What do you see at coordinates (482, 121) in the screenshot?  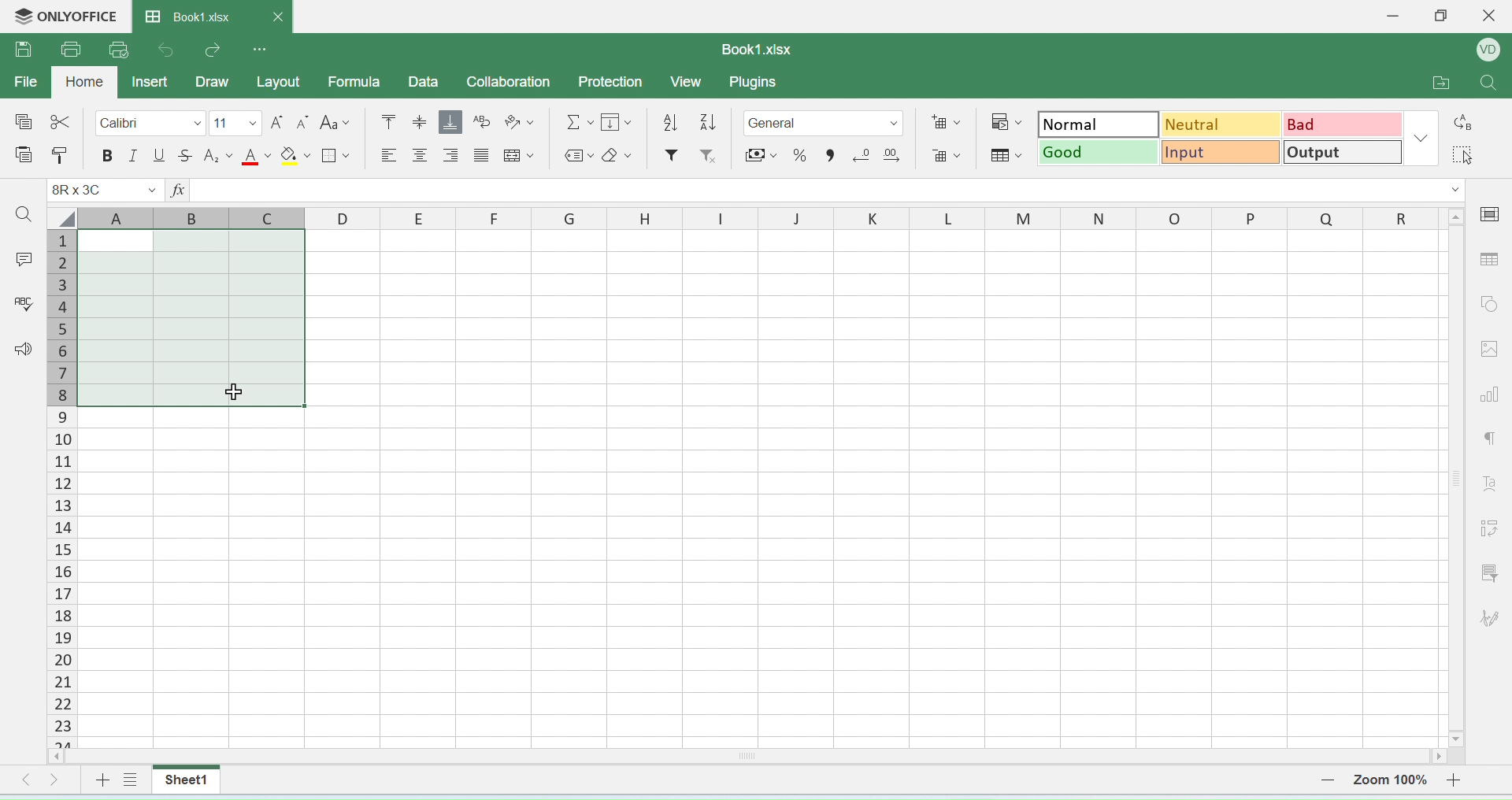 I see `wrap text` at bounding box center [482, 121].